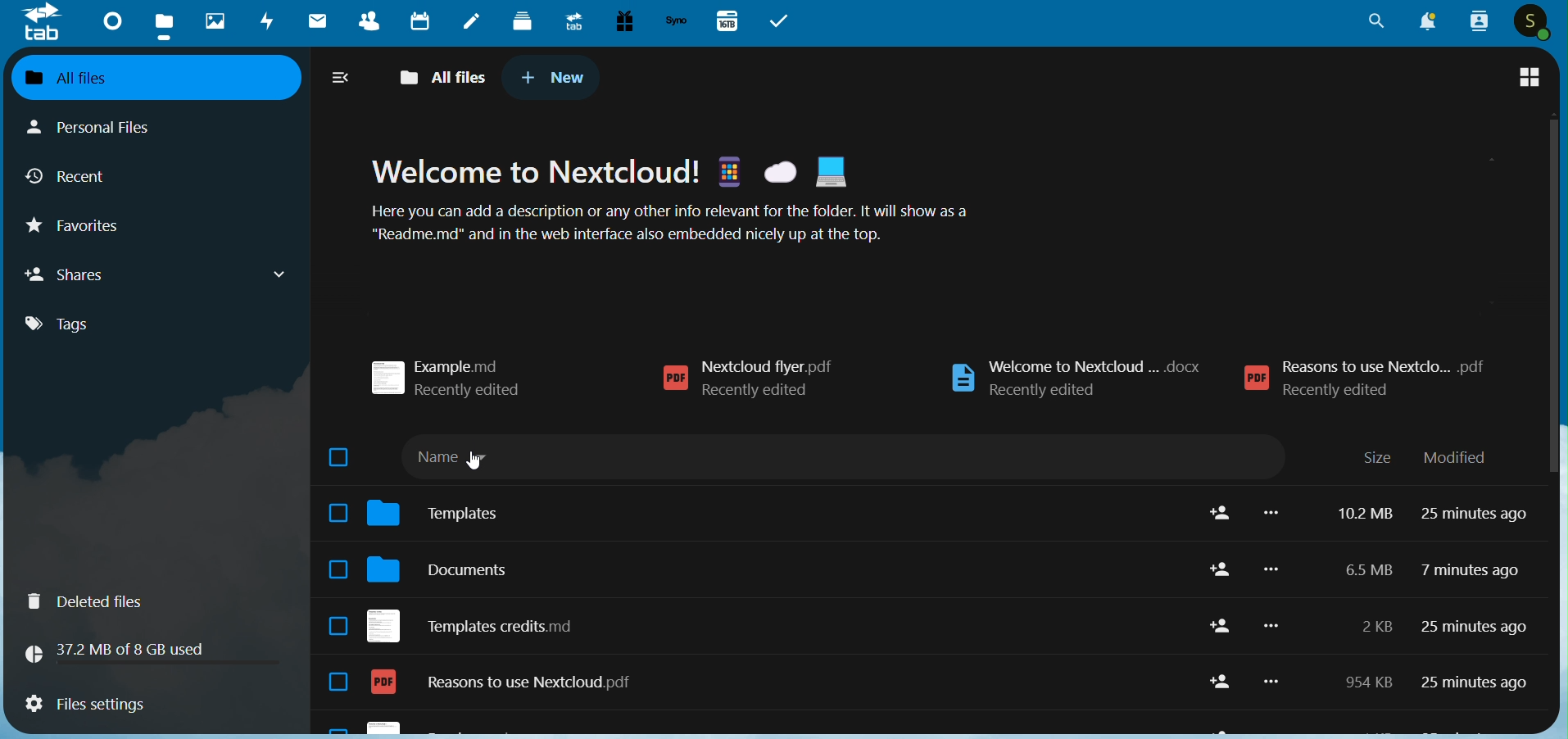 This screenshot has height=739, width=1568. What do you see at coordinates (1463, 457) in the screenshot?
I see `modified` at bounding box center [1463, 457].